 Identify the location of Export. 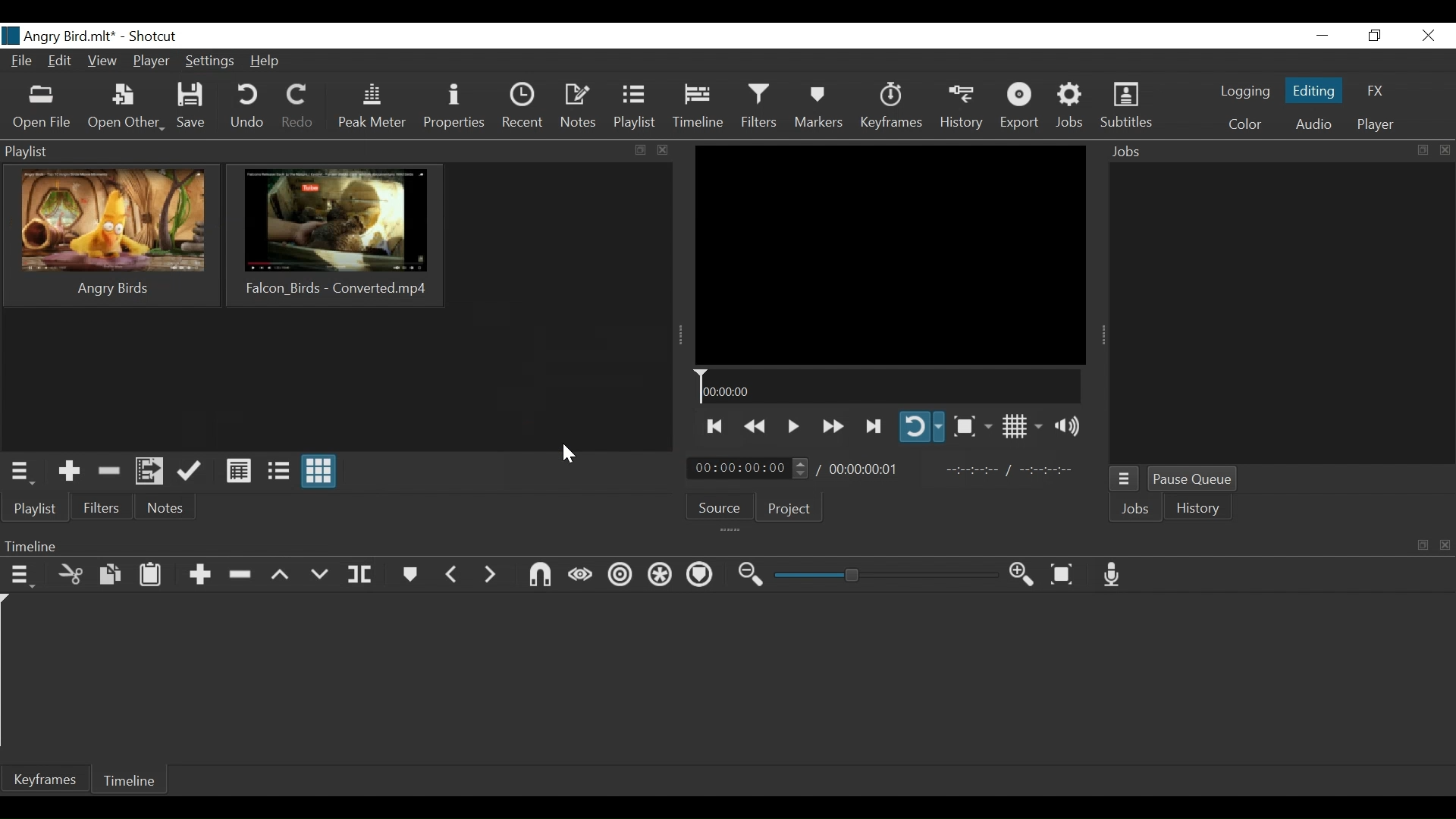
(1021, 106).